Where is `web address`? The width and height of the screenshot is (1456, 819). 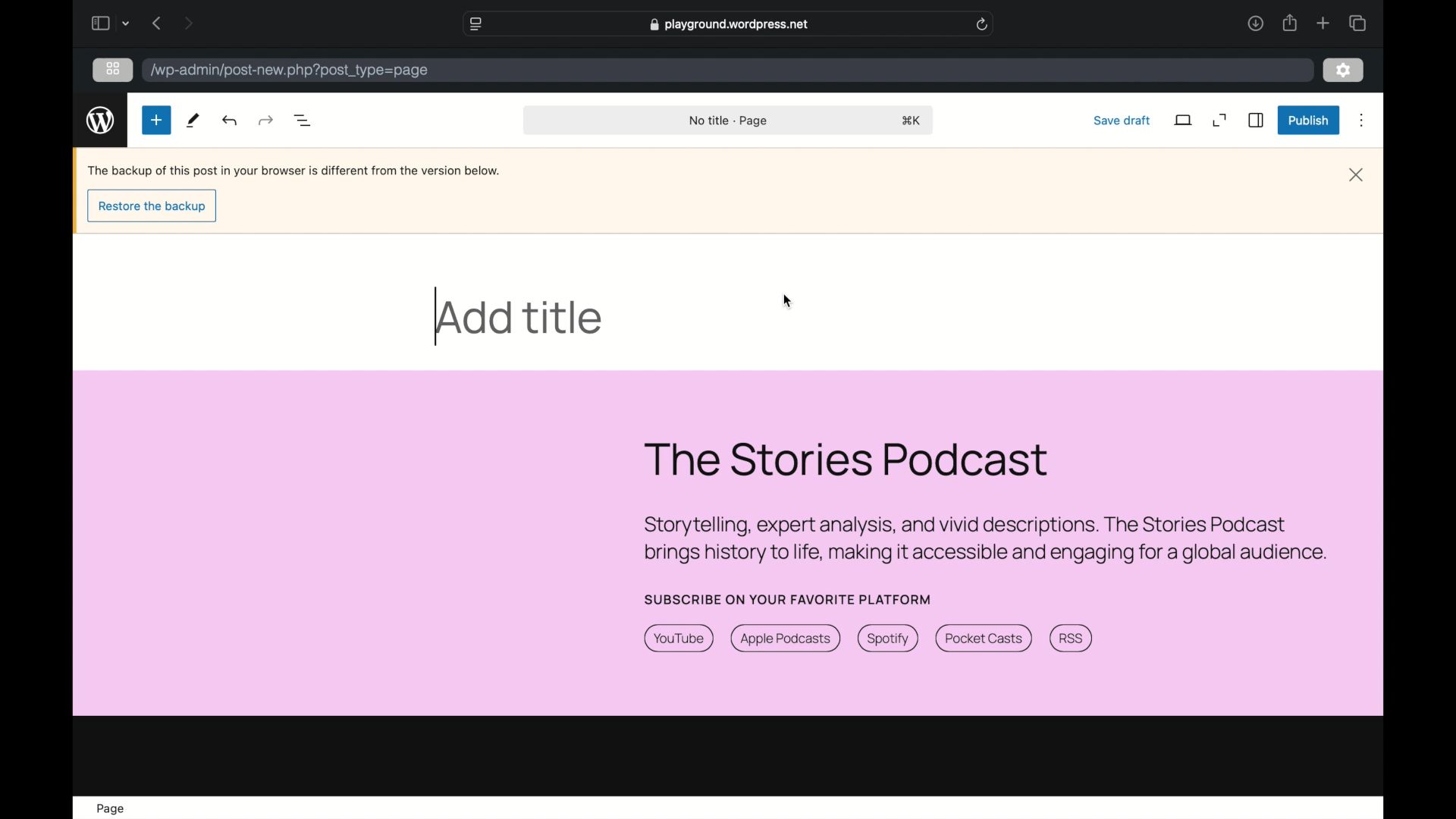 web address is located at coordinates (729, 24).